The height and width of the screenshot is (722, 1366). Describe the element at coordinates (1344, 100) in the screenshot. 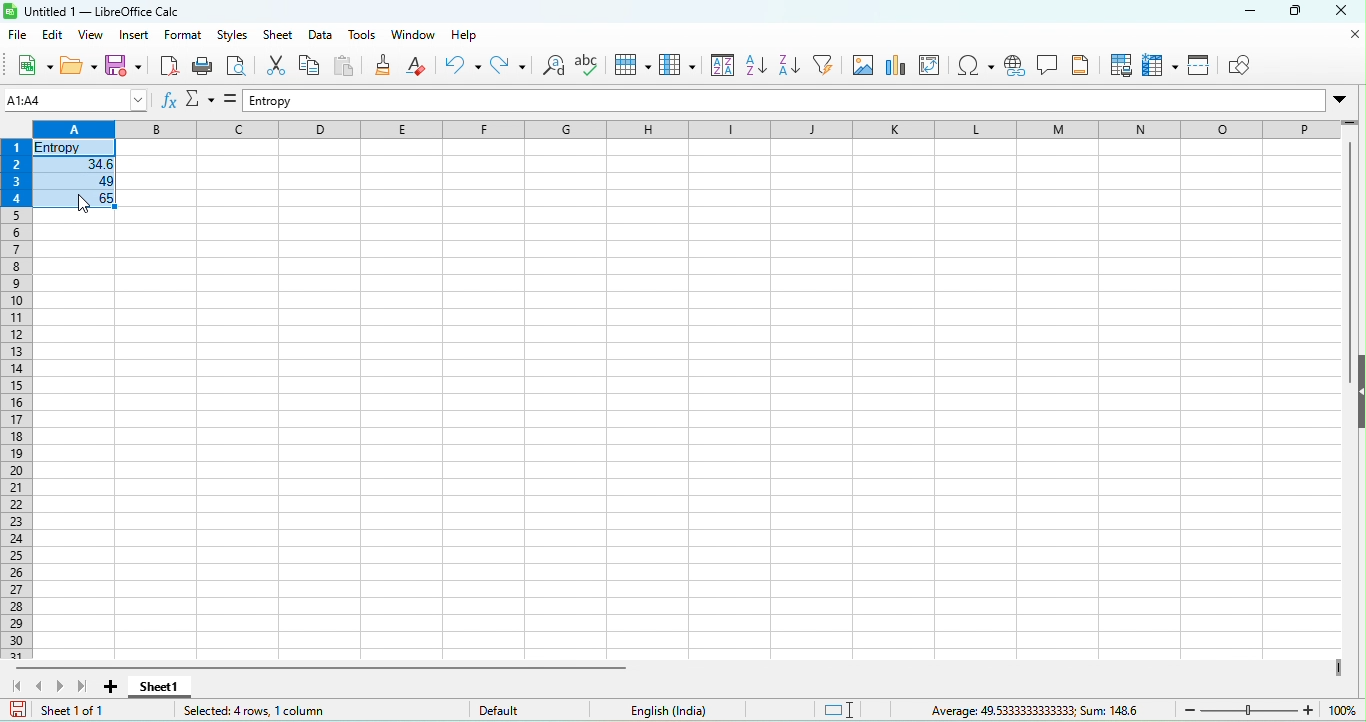

I see `Drop-down ` at that location.